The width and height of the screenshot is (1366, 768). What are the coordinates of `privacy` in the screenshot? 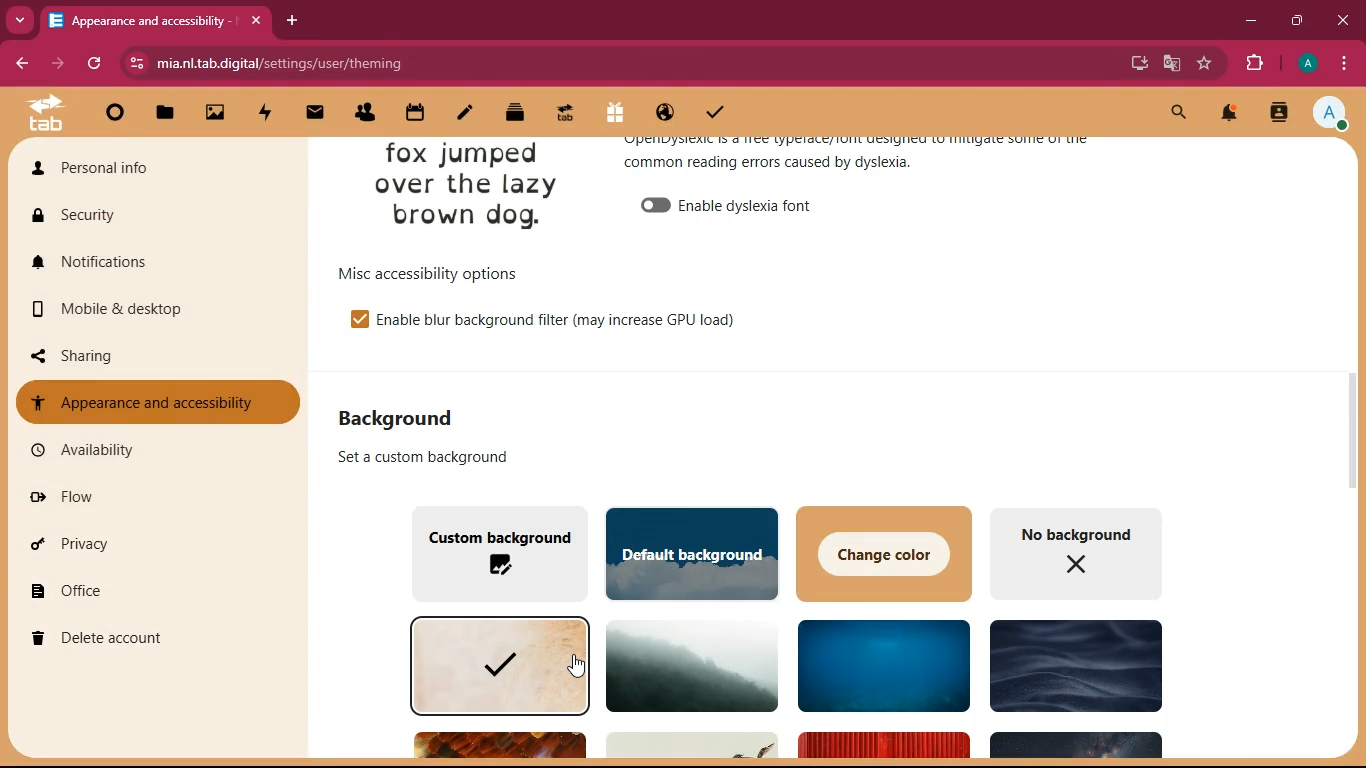 It's located at (148, 545).